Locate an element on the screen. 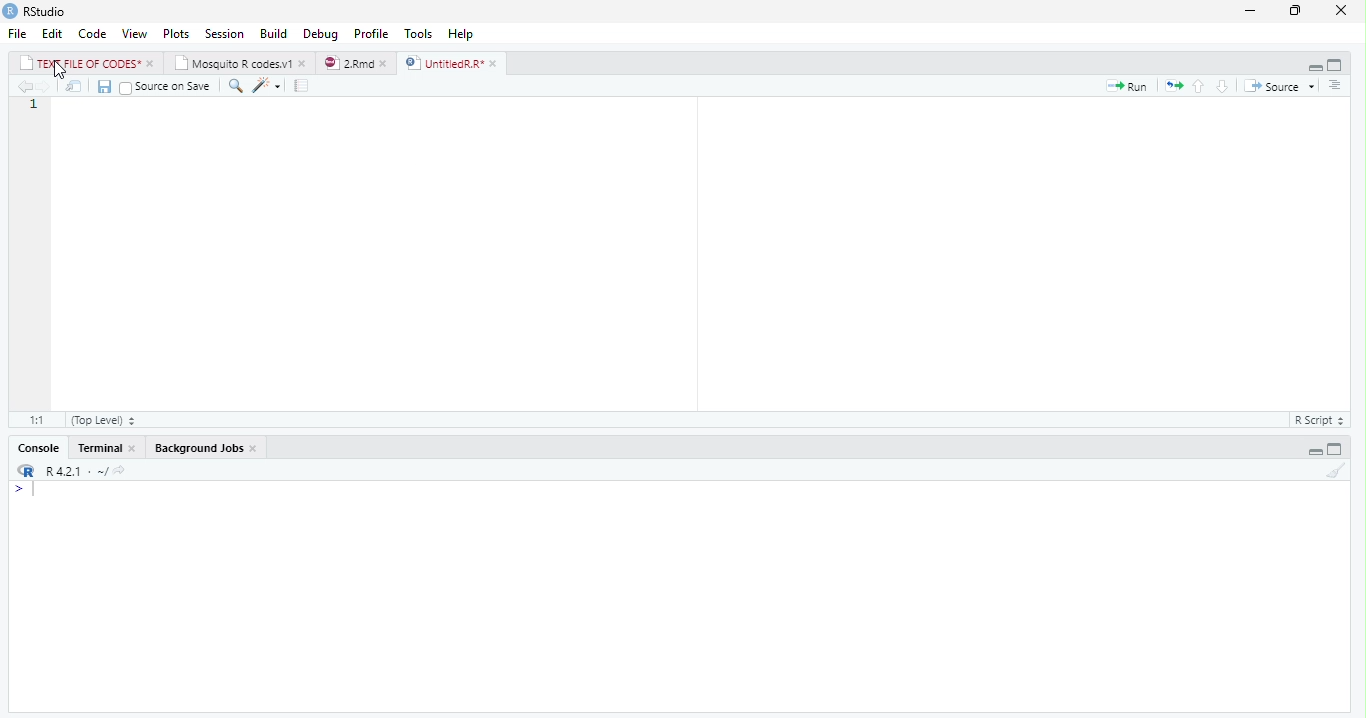 This screenshot has width=1366, height=718. (Top Level) is located at coordinates (104, 419).